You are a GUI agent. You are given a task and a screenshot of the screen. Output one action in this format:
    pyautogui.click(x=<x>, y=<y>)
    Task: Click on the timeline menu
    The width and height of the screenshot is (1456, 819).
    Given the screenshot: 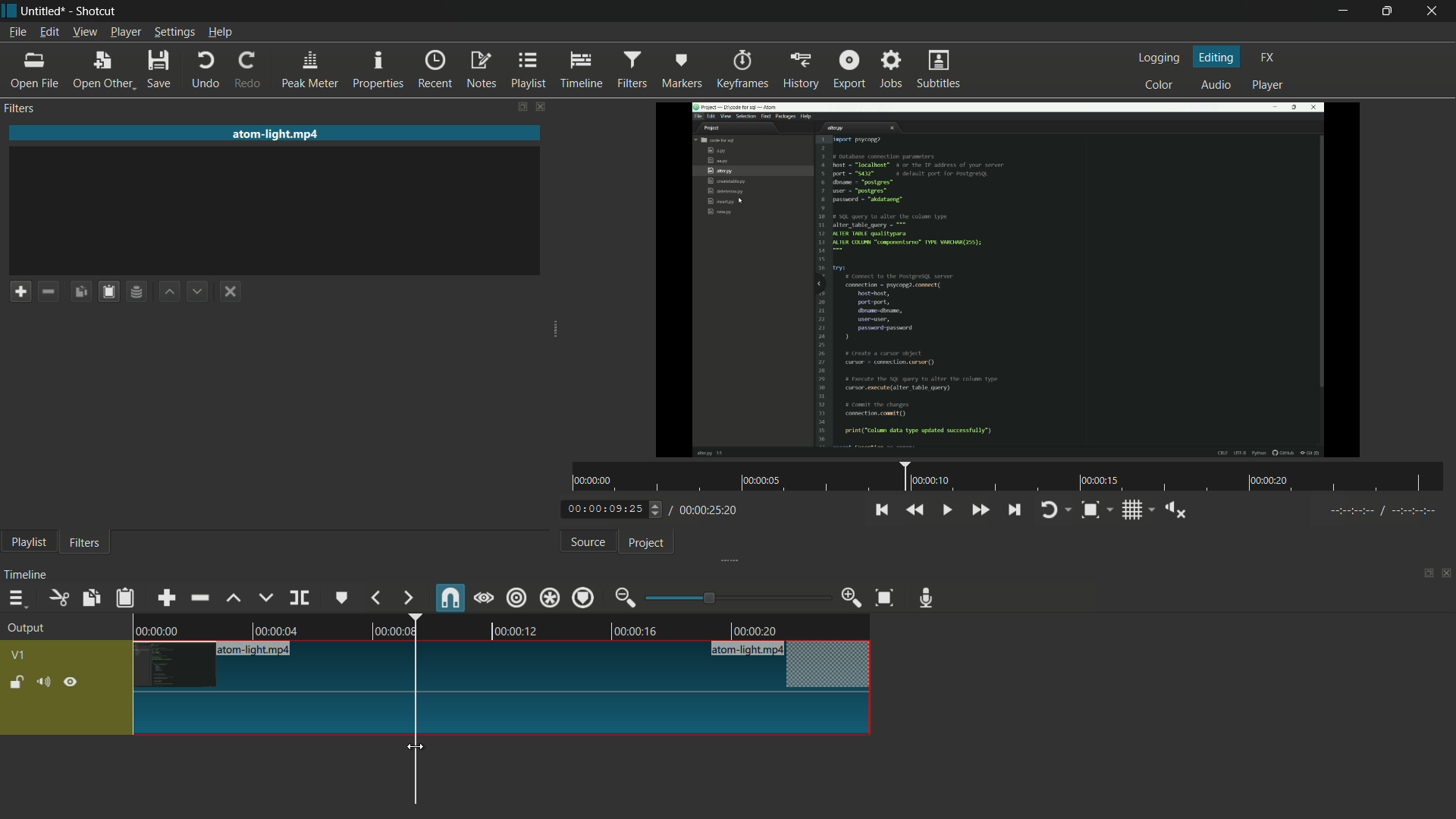 What is the action you would take?
    pyautogui.click(x=16, y=598)
    